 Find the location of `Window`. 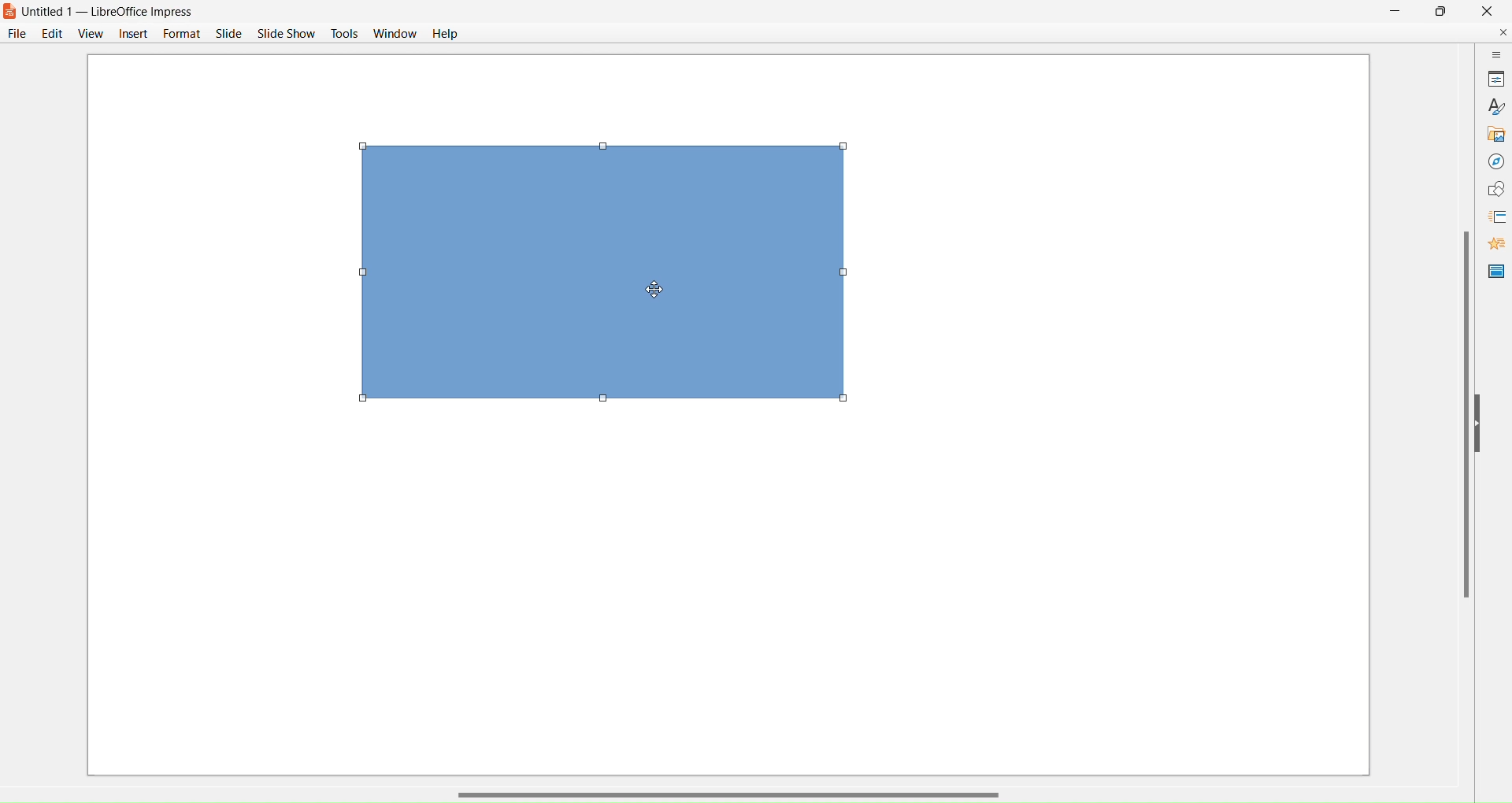

Window is located at coordinates (395, 33).